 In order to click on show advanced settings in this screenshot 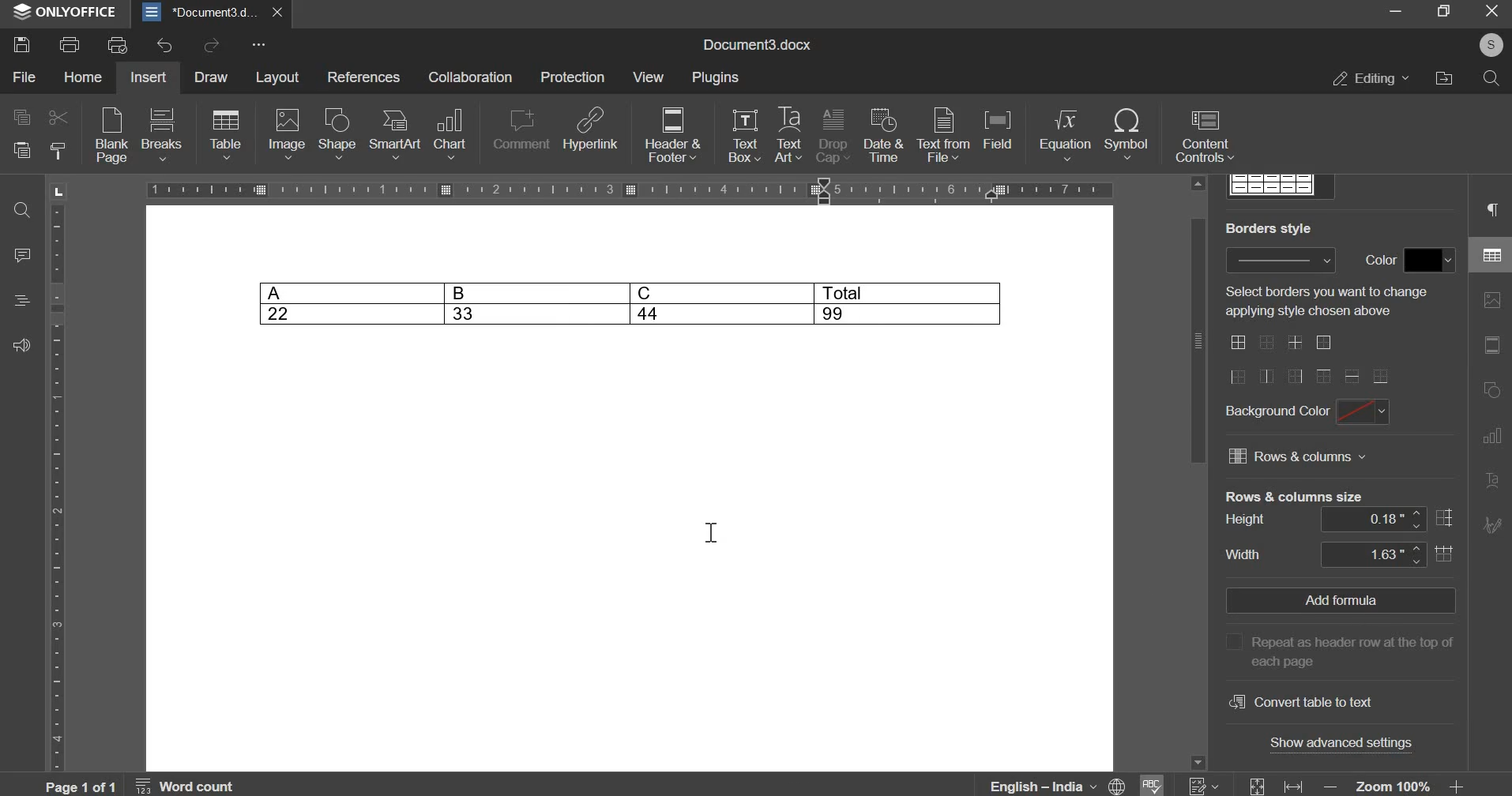, I will do `click(1342, 742)`.